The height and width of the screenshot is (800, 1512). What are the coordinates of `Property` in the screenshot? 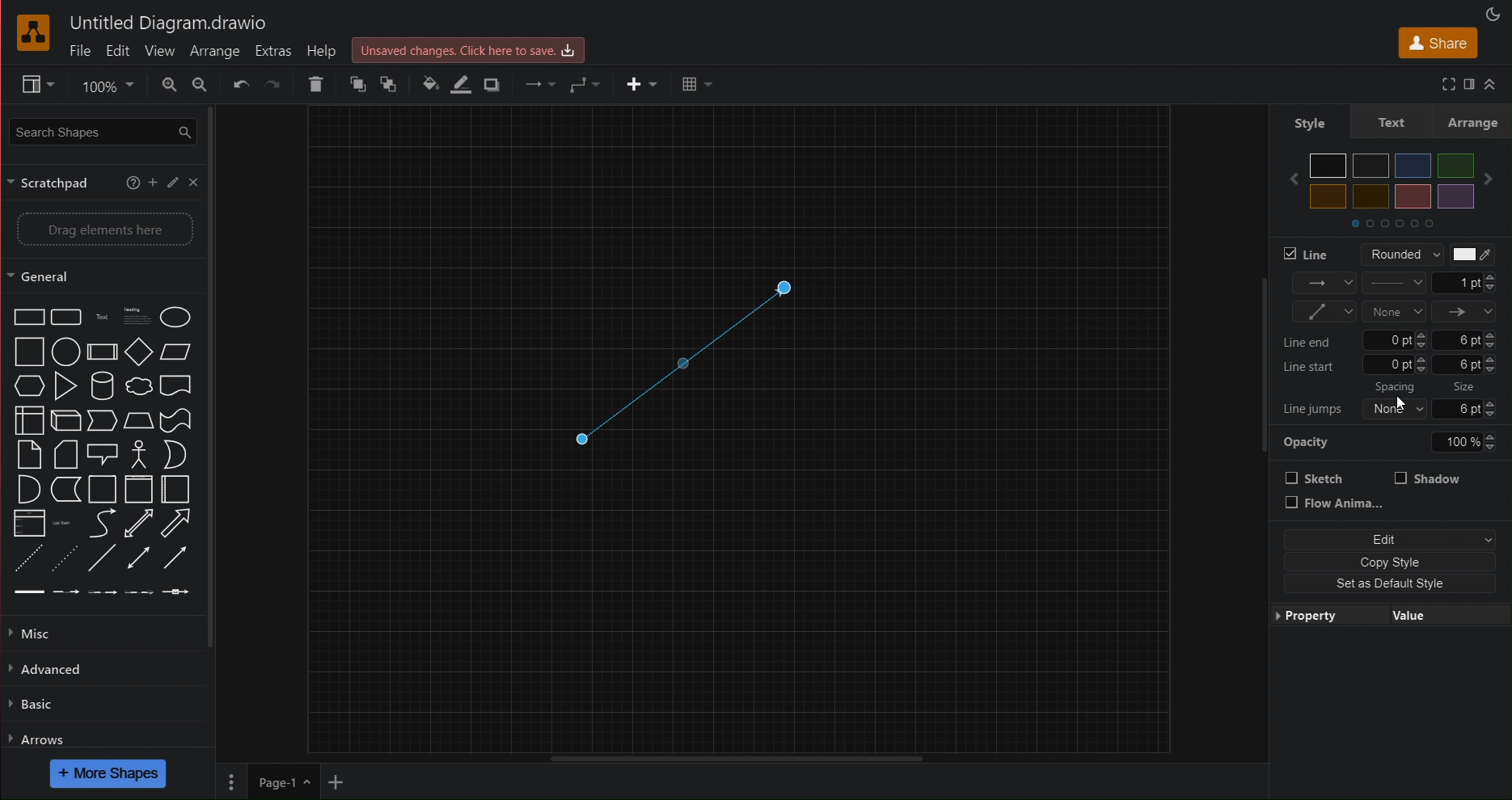 It's located at (1320, 616).